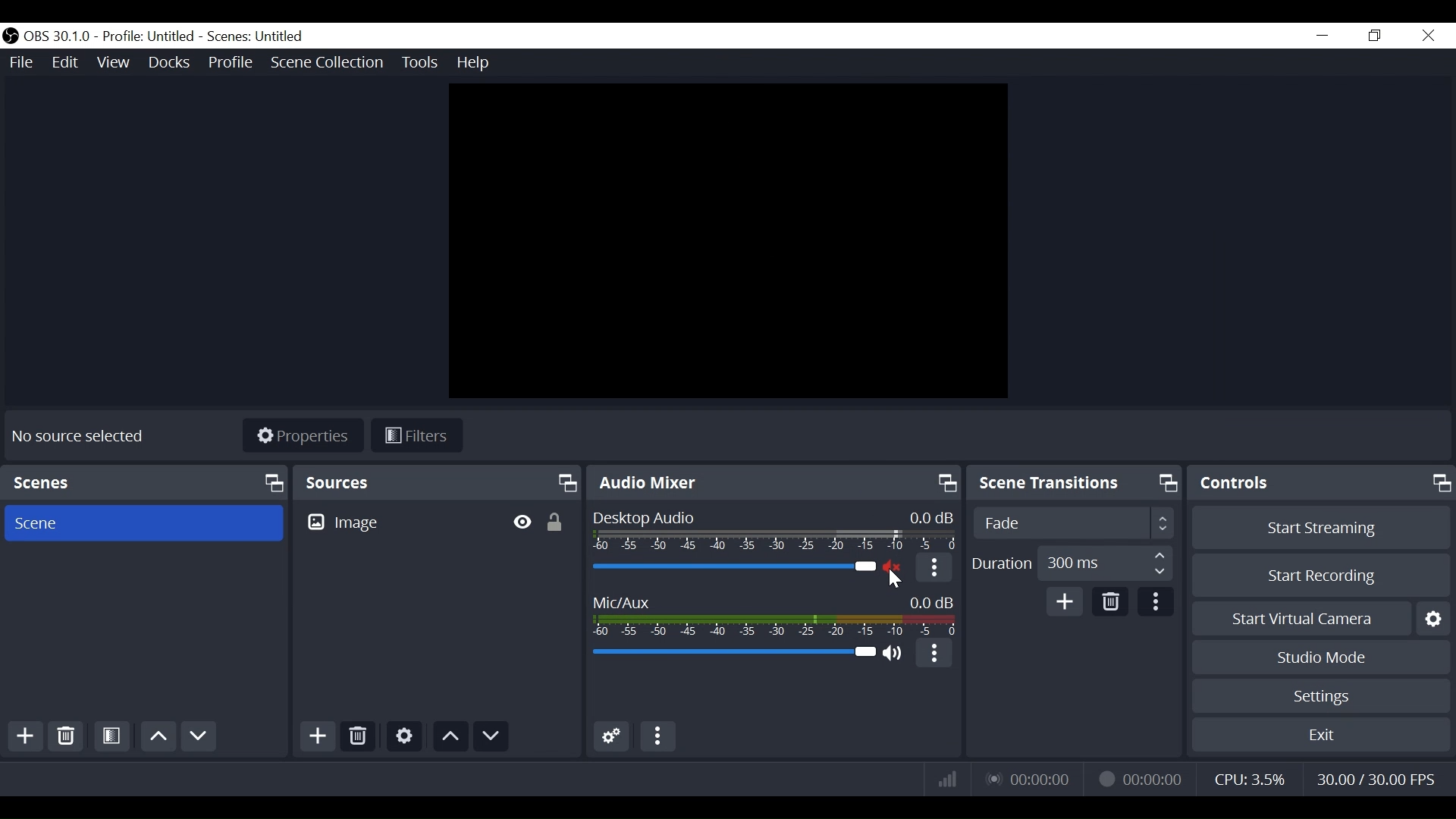 Image resolution: width=1456 pixels, height=819 pixels. Describe the element at coordinates (1431, 36) in the screenshot. I see `Close` at that location.